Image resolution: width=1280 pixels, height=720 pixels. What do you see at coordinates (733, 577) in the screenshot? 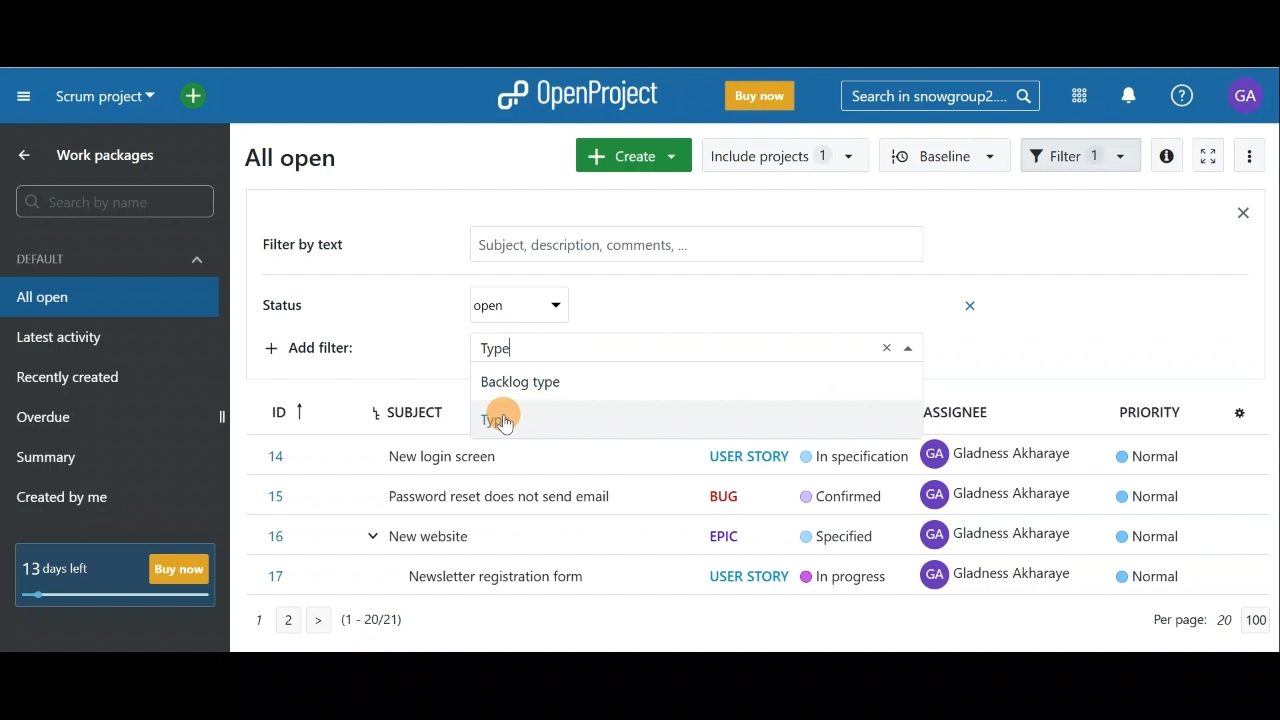
I see `Item 9` at bounding box center [733, 577].